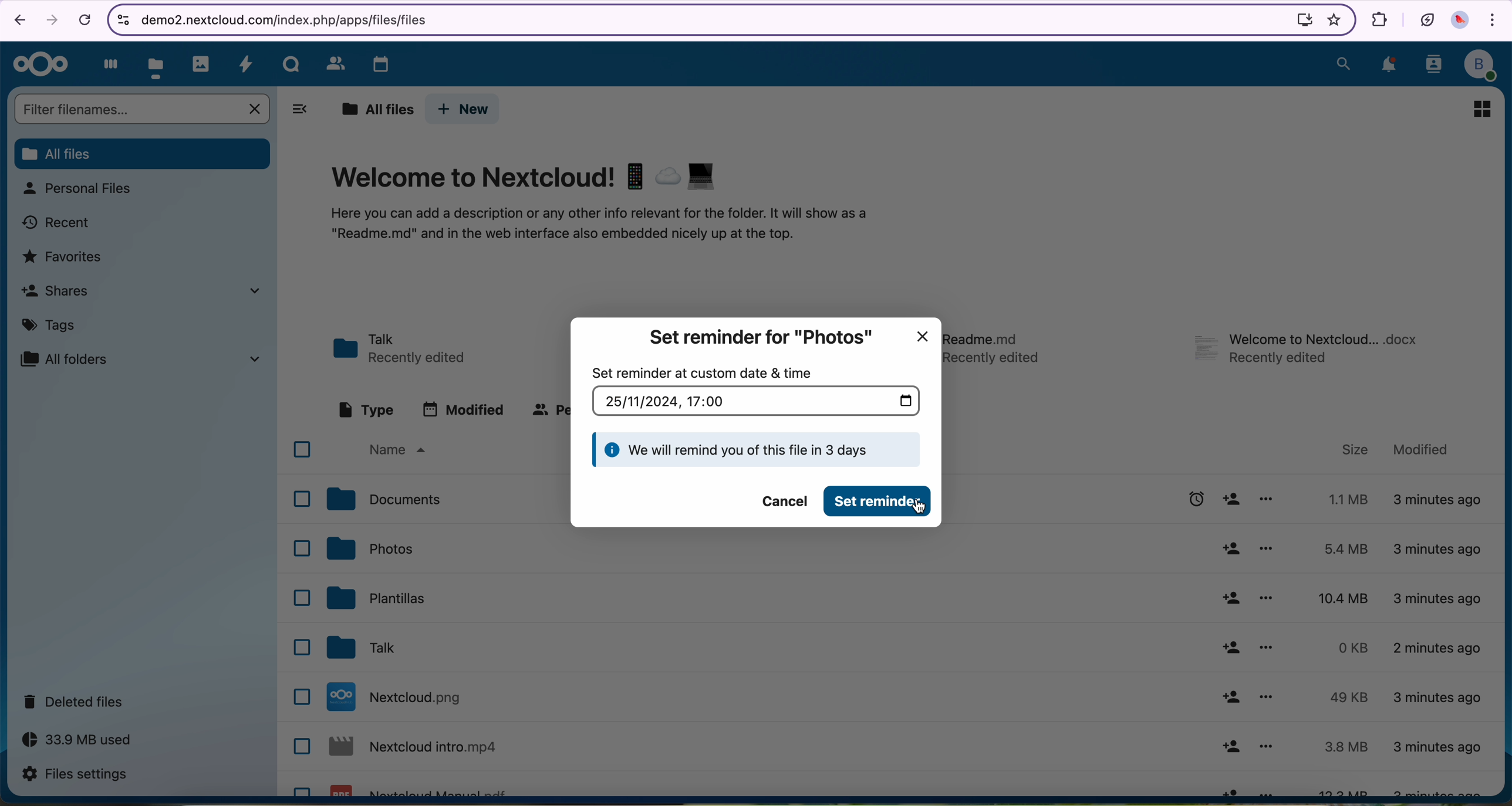 Image resolution: width=1512 pixels, height=806 pixels. I want to click on calendar, so click(374, 61).